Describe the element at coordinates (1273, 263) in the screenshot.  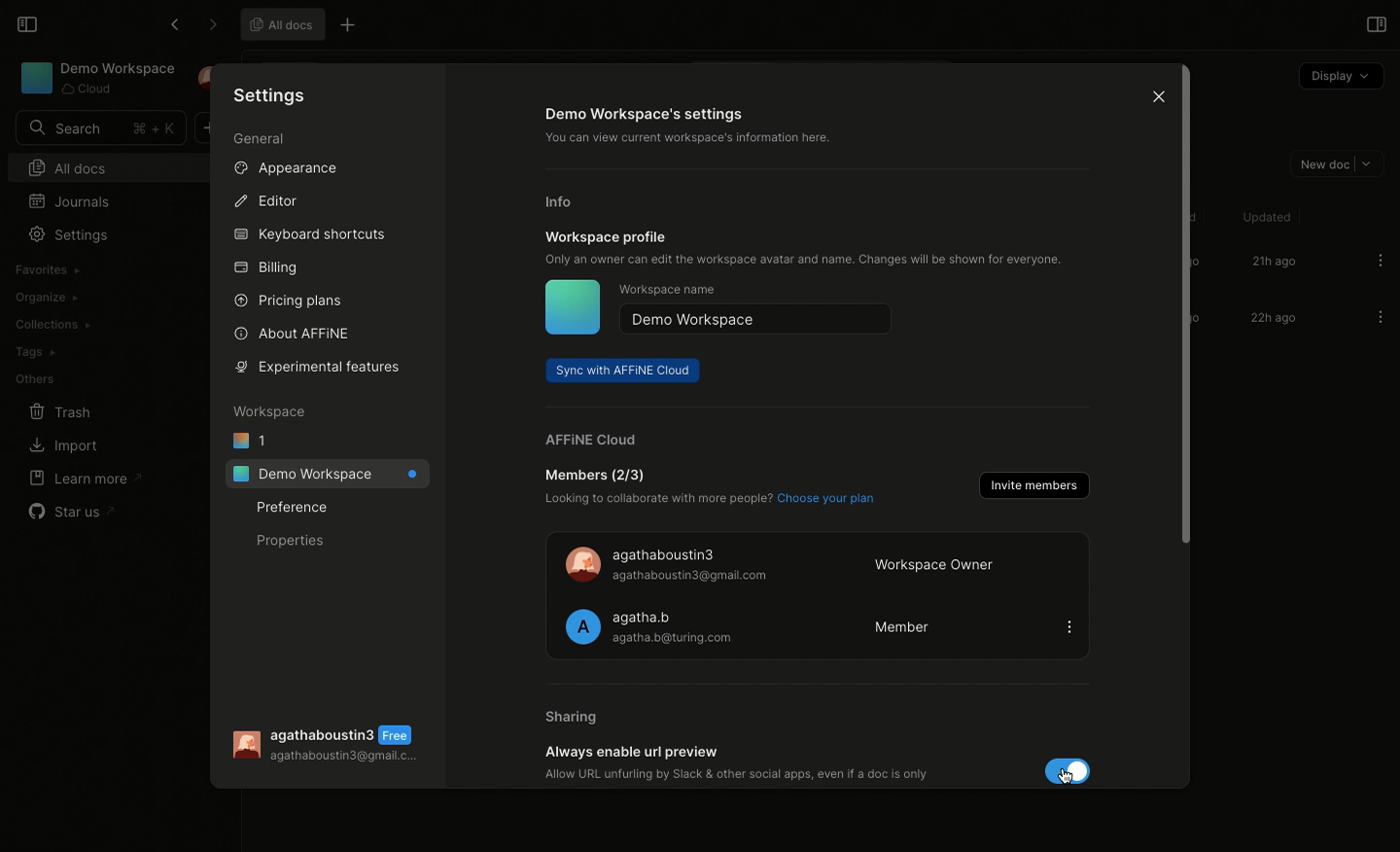
I see `21h ago` at that location.